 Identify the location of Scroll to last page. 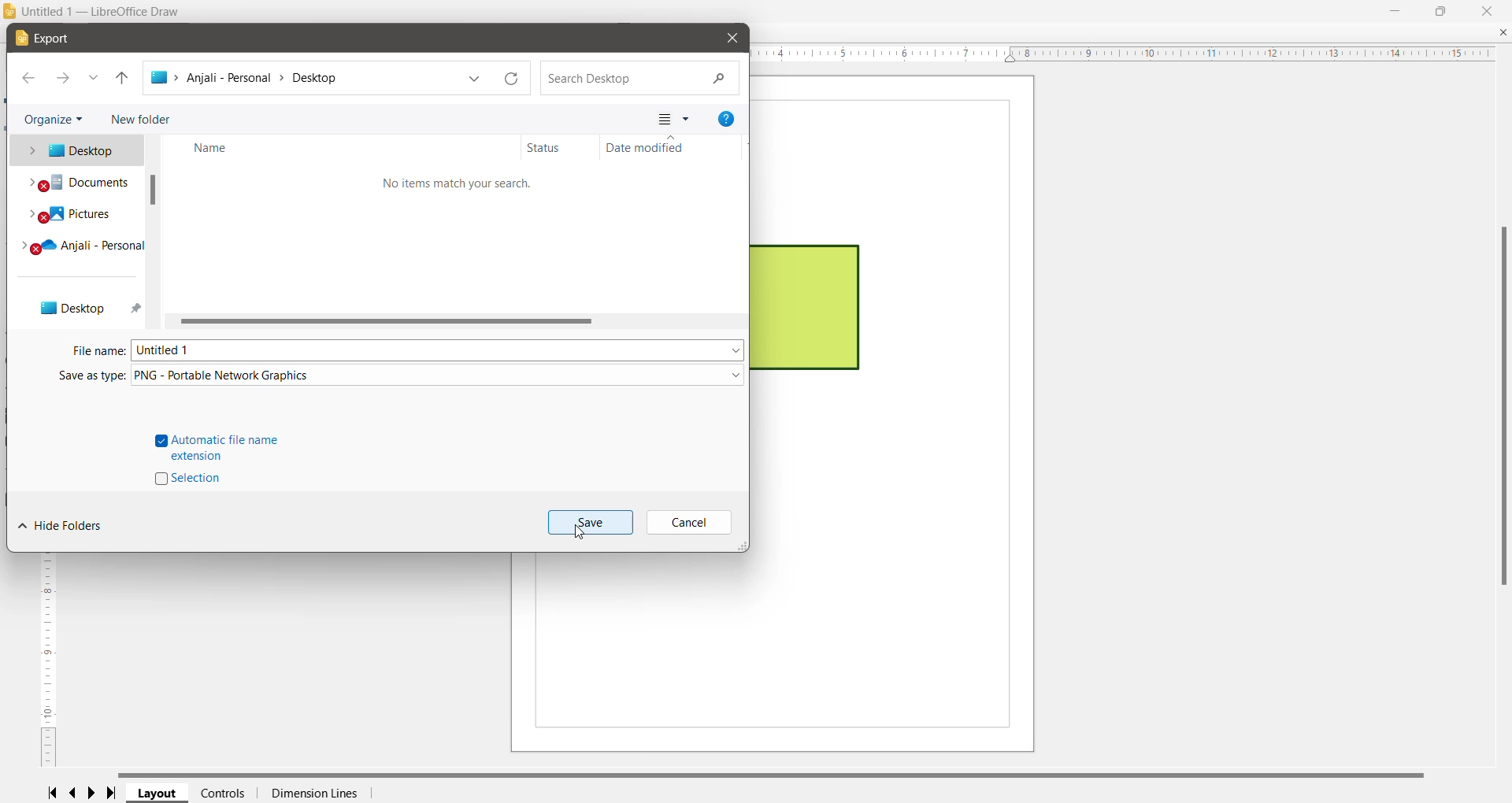
(116, 794).